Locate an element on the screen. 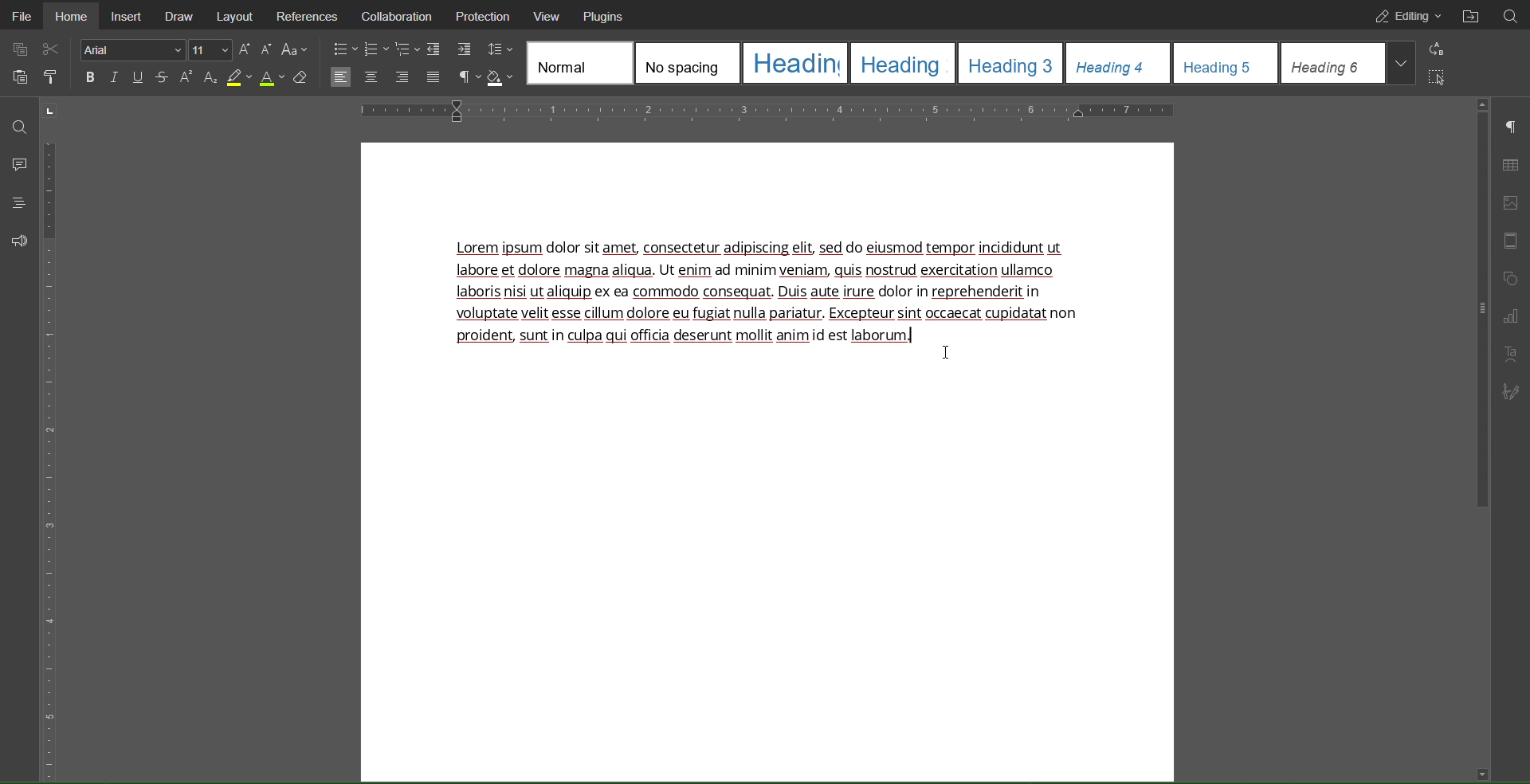  Line Spacing is located at coordinates (500, 49).